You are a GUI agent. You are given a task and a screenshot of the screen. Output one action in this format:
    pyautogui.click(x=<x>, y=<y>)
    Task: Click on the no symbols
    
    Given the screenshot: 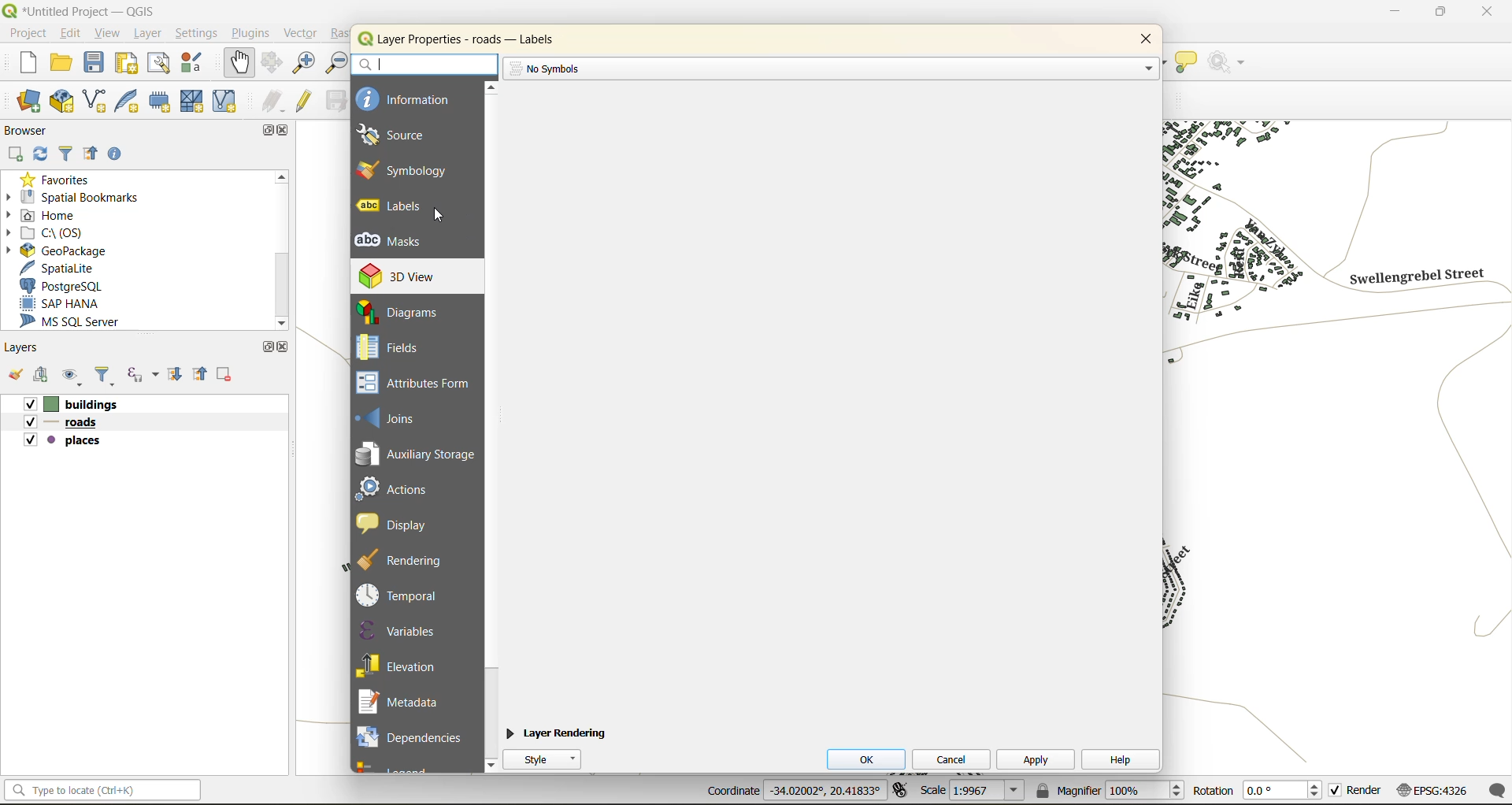 What is the action you would take?
    pyautogui.click(x=547, y=68)
    